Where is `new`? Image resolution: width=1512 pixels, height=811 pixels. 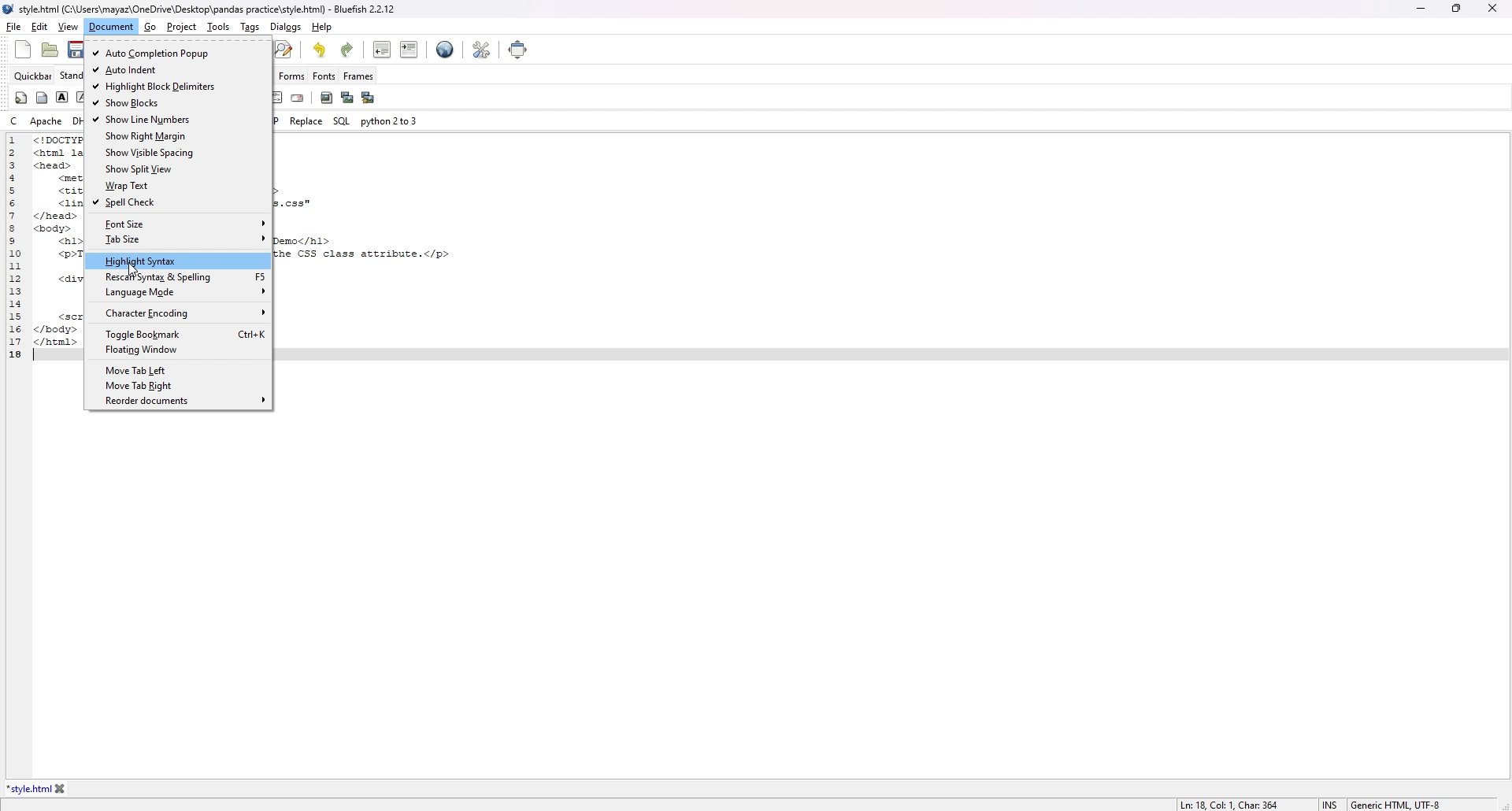
new is located at coordinates (22, 49).